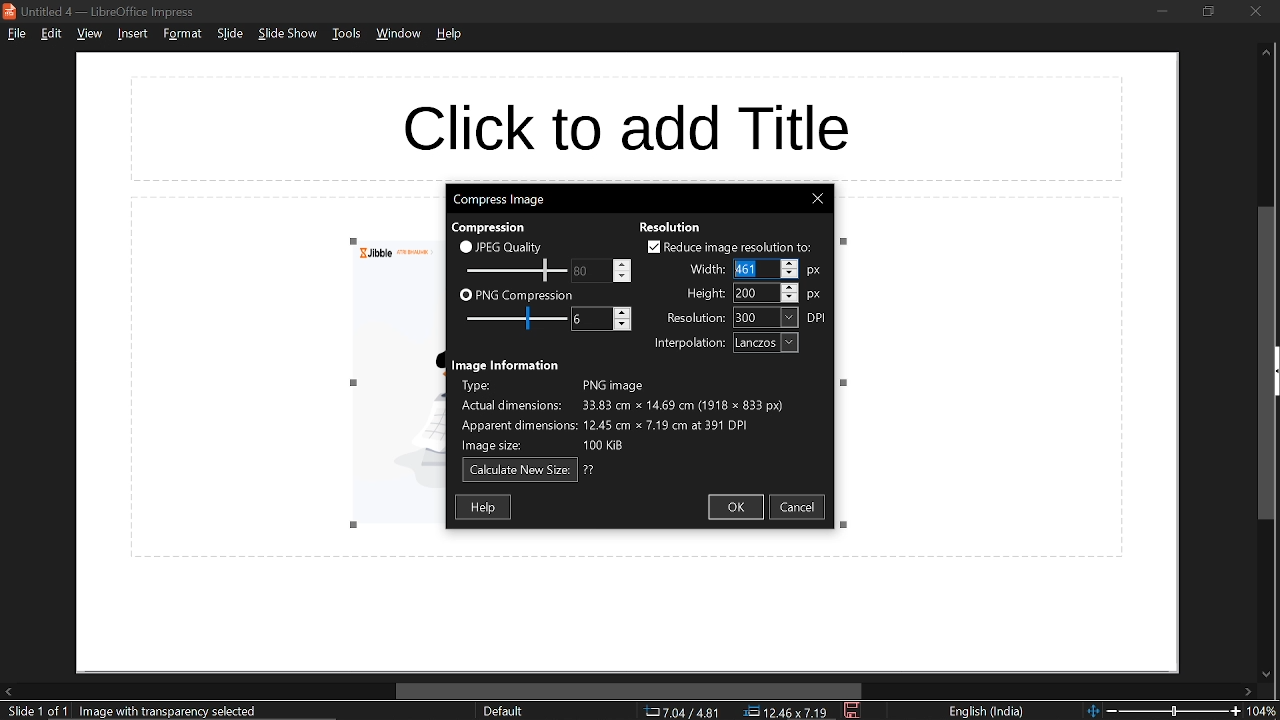  What do you see at coordinates (623, 326) in the screenshot?
I see `Decrease ` at bounding box center [623, 326].